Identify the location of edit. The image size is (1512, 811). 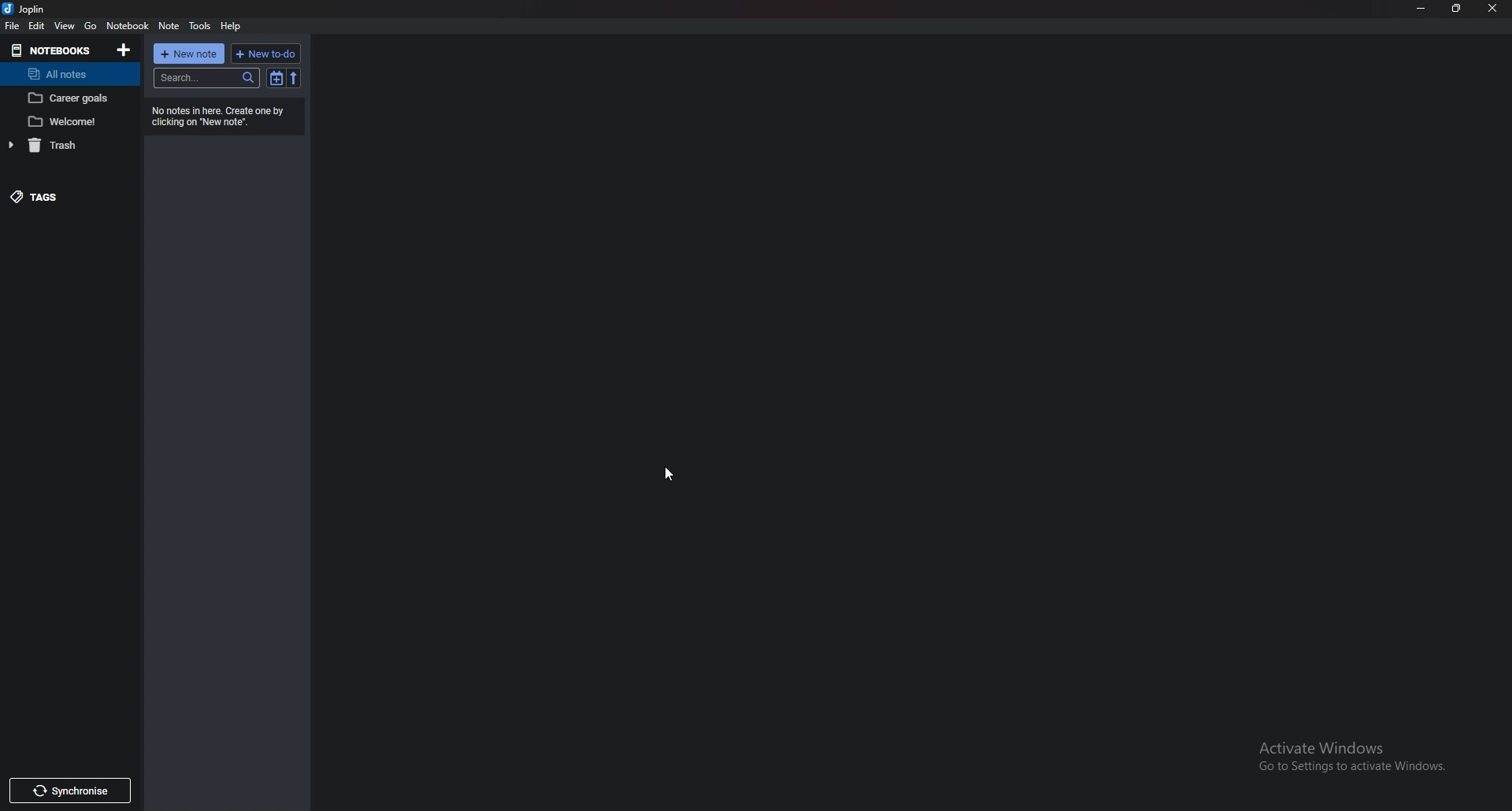
(37, 26).